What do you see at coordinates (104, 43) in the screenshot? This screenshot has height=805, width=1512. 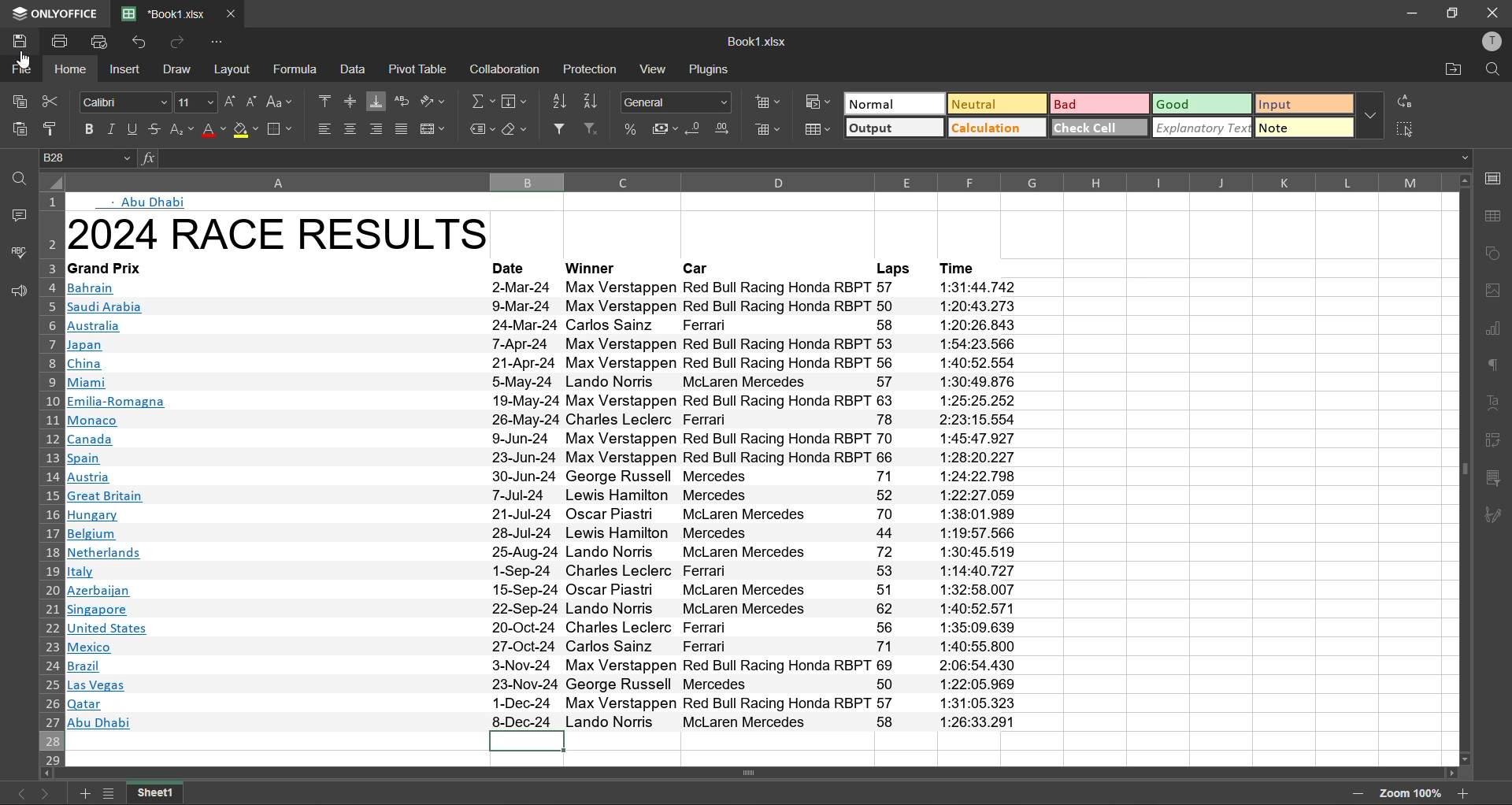 I see `quick print` at bounding box center [104, 43].